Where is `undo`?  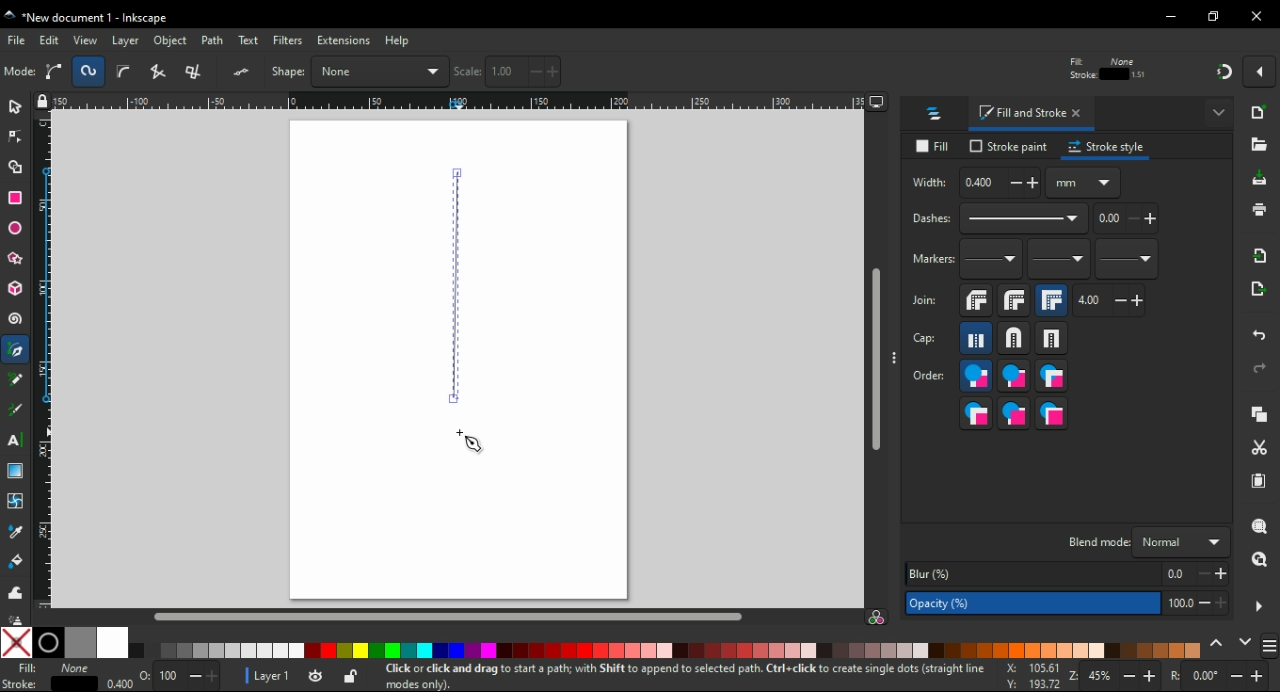
undo is located at coordinates (1261, 332).